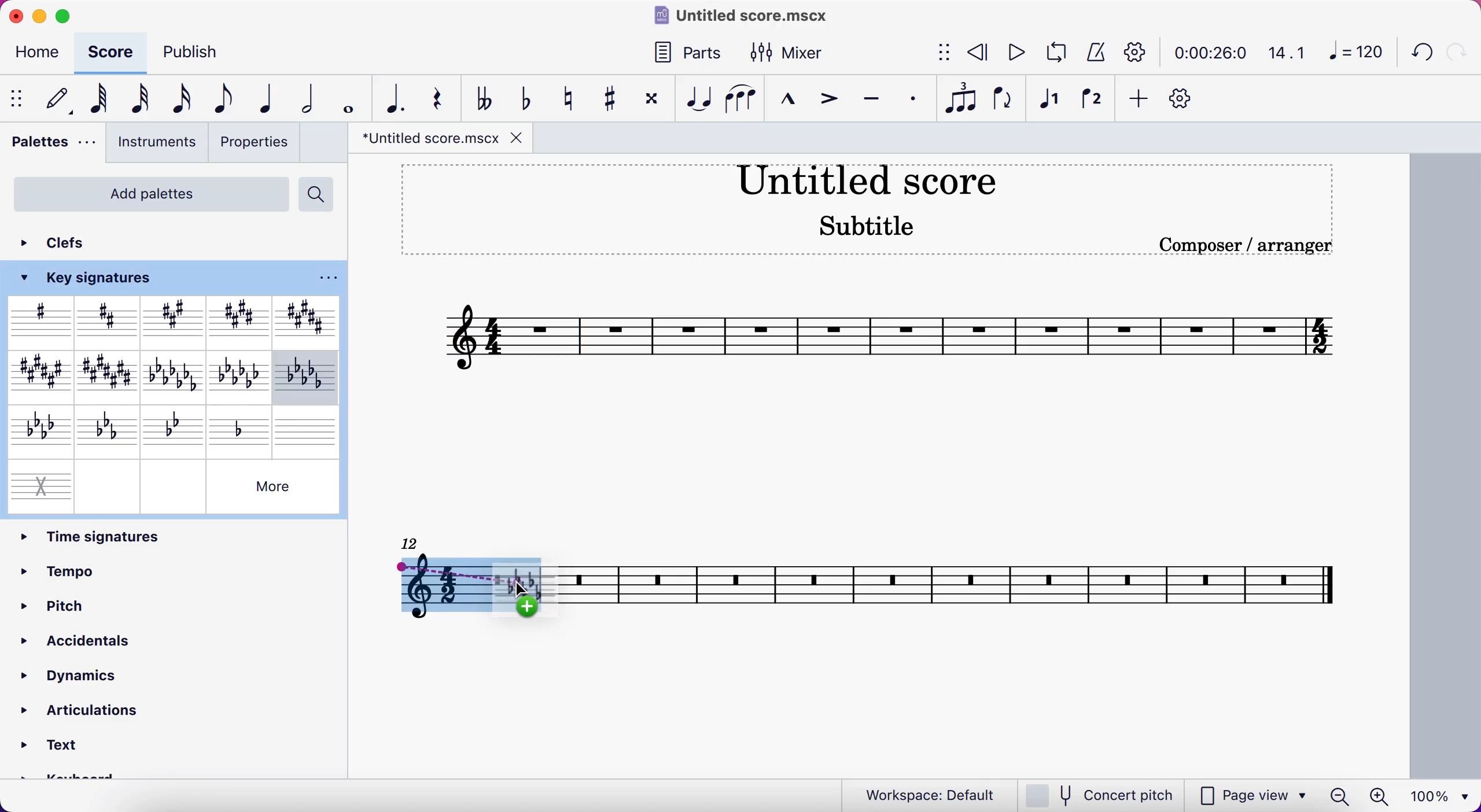 This screenshot has height=812, width=1481. Describe the element at coordinates (19, 98) in the screenshot. I see `show/hide` at that location.